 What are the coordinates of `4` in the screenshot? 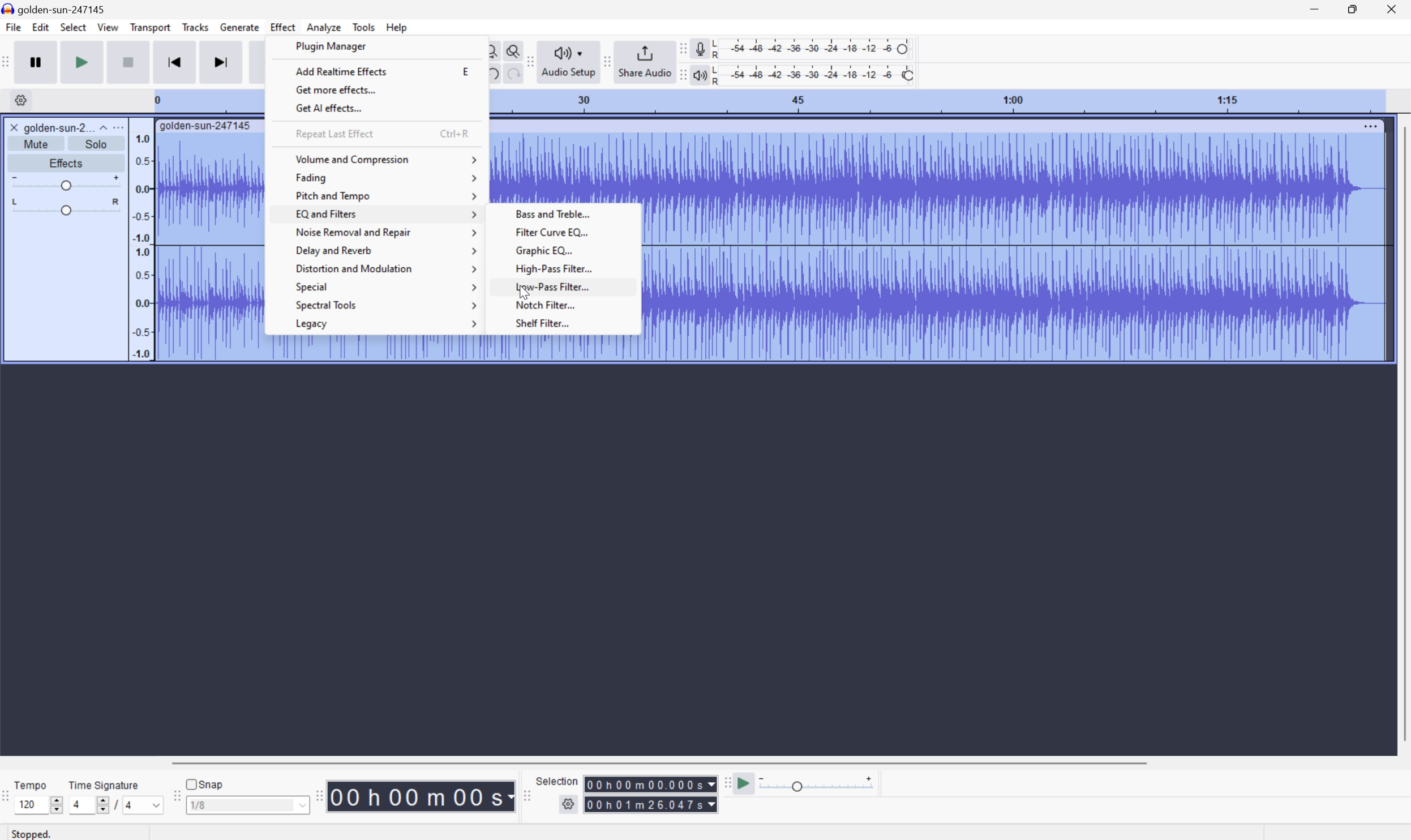 It's located at (145, 805).